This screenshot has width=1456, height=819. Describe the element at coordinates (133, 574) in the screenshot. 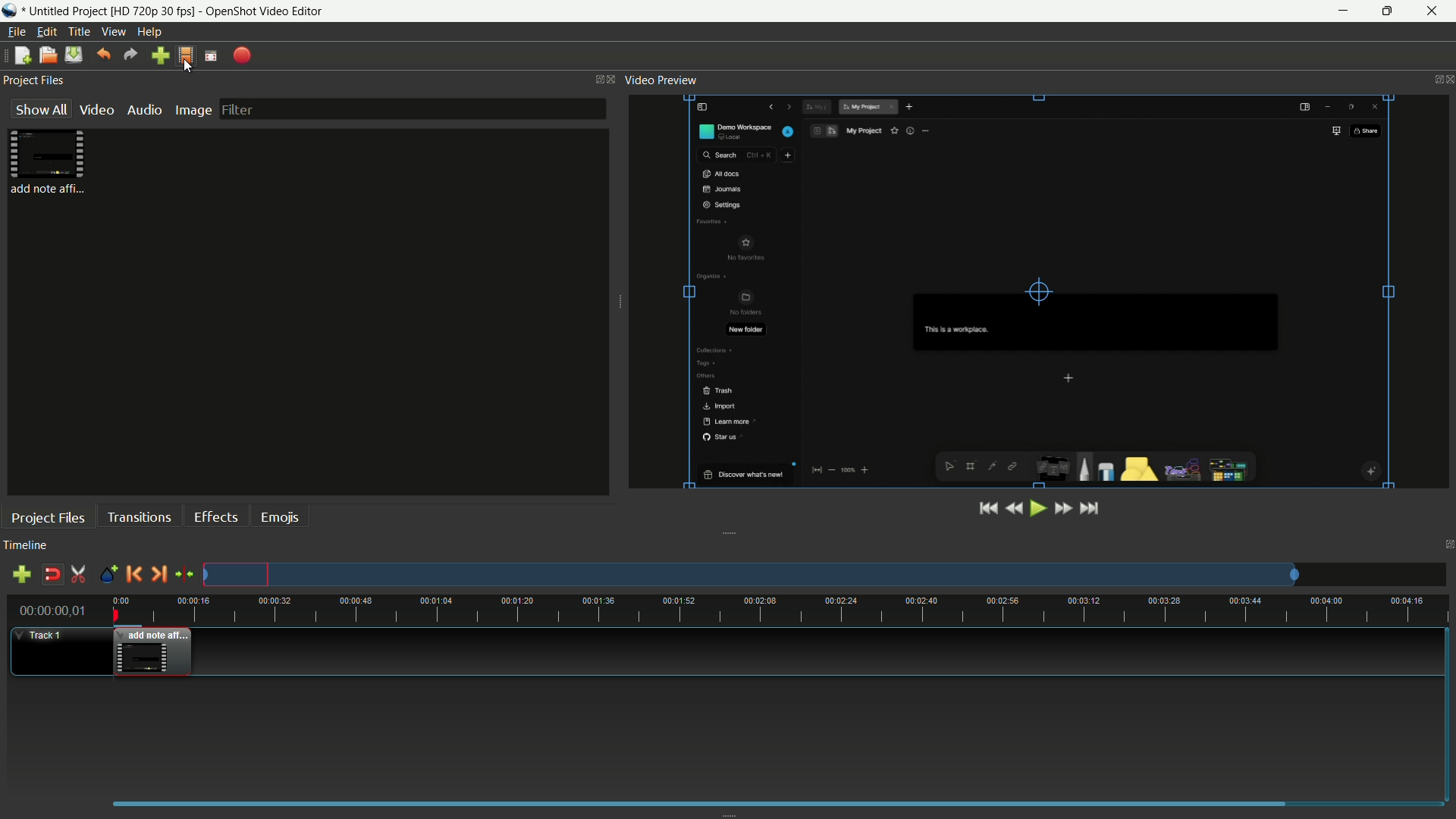

I see `previous marker` at that location.